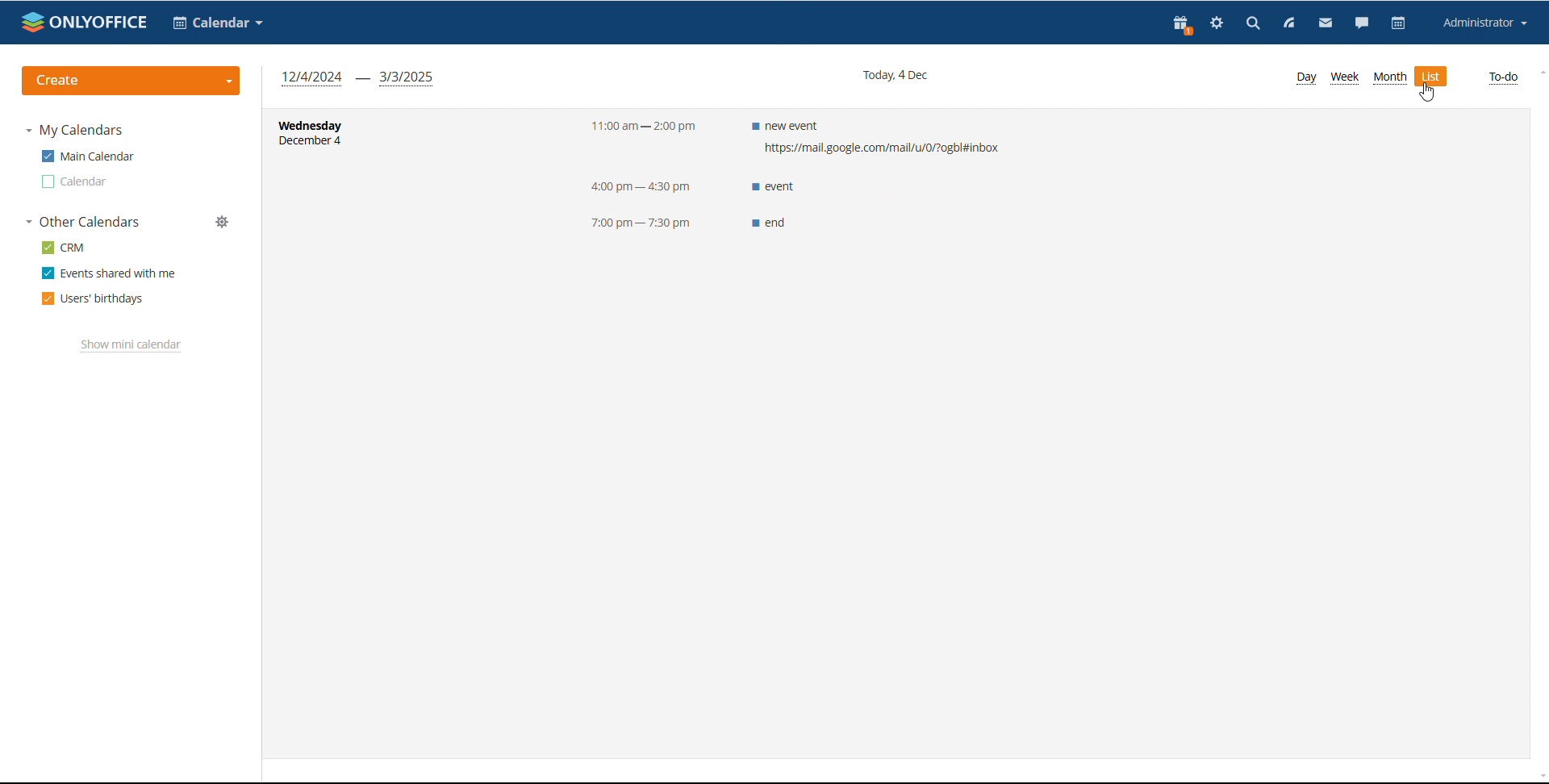 The height and width of the screenshot is (784, 1549). What do you see at coordinates (1344, 78) in the screenshot?
I see `week view` at bounding box center [1344, 78].